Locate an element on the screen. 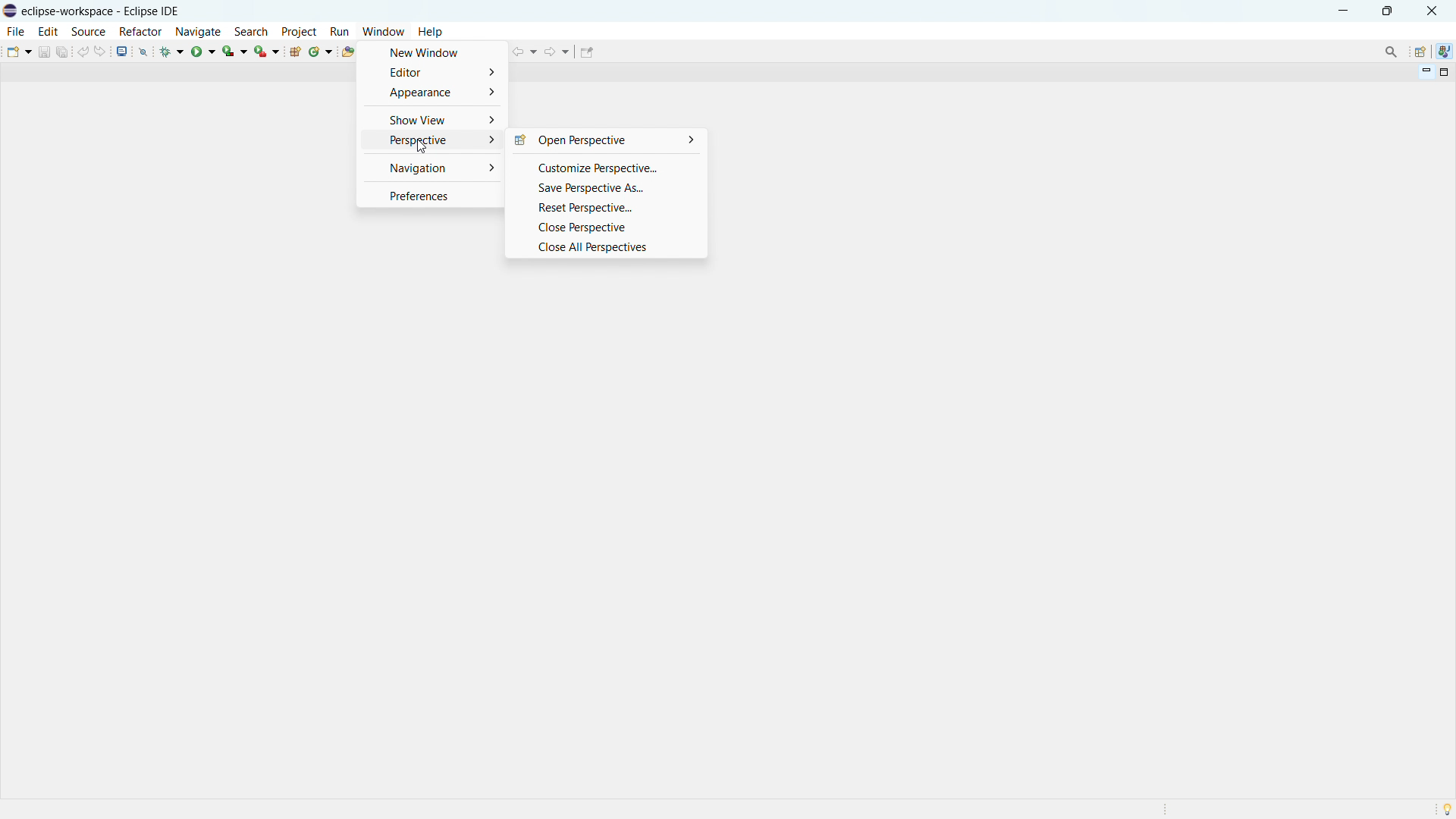  save is located at coordinates (44, 52).